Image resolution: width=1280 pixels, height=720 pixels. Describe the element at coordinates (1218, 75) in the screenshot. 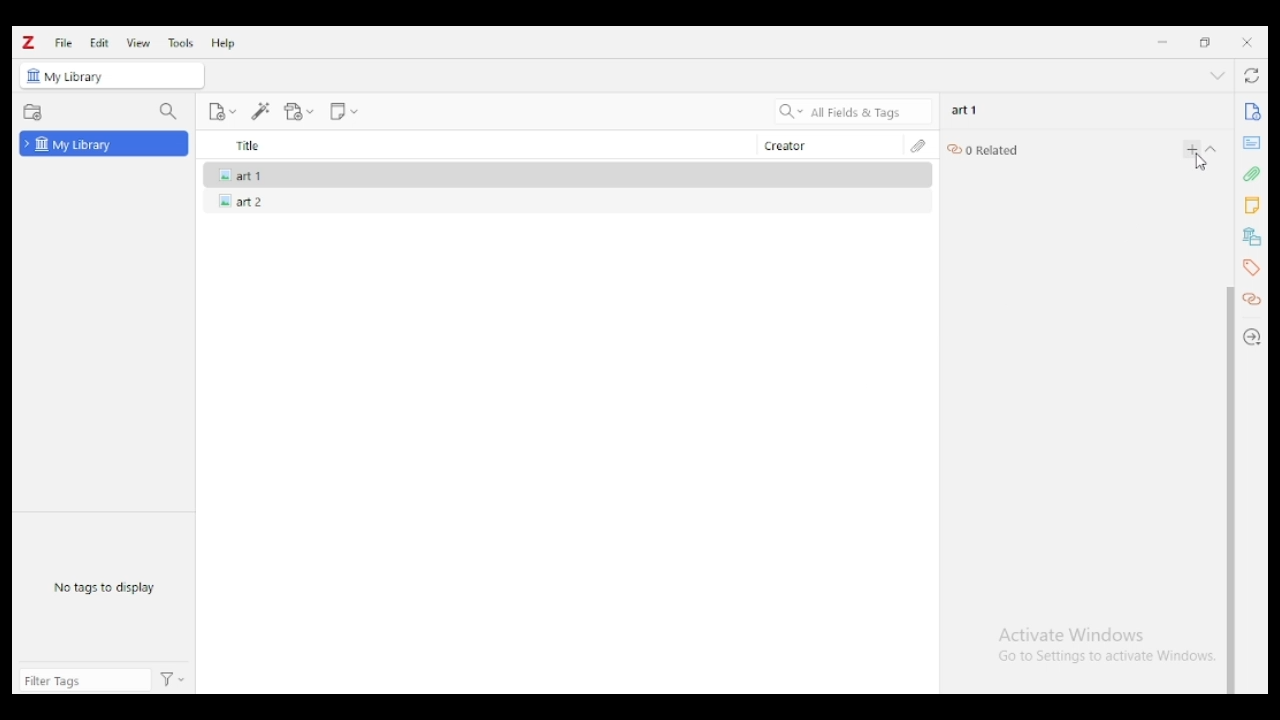

I see `toggle collapse` at that location.